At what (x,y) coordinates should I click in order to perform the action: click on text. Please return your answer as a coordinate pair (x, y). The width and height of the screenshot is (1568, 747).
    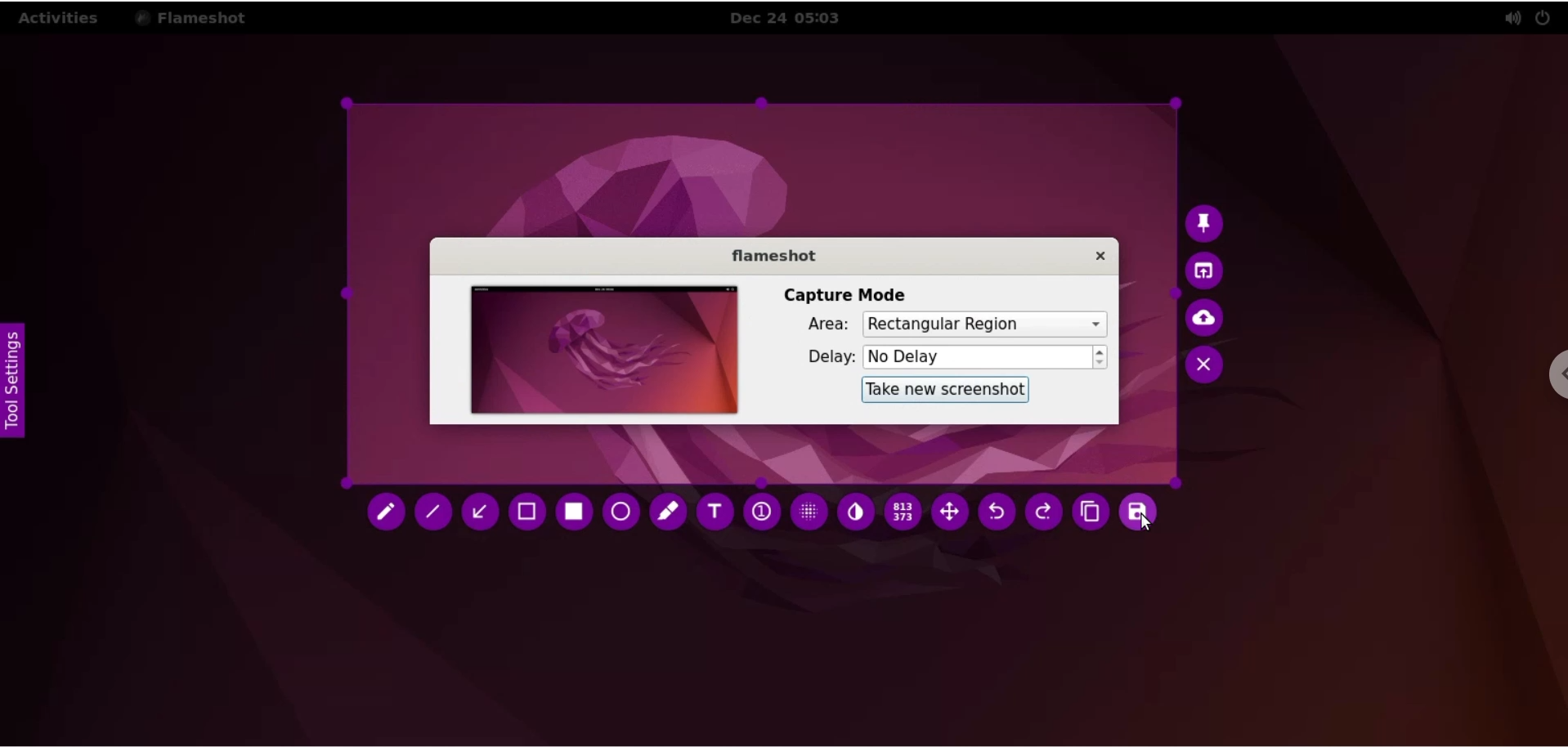
    Looking at the image, I should click on (715, 508).